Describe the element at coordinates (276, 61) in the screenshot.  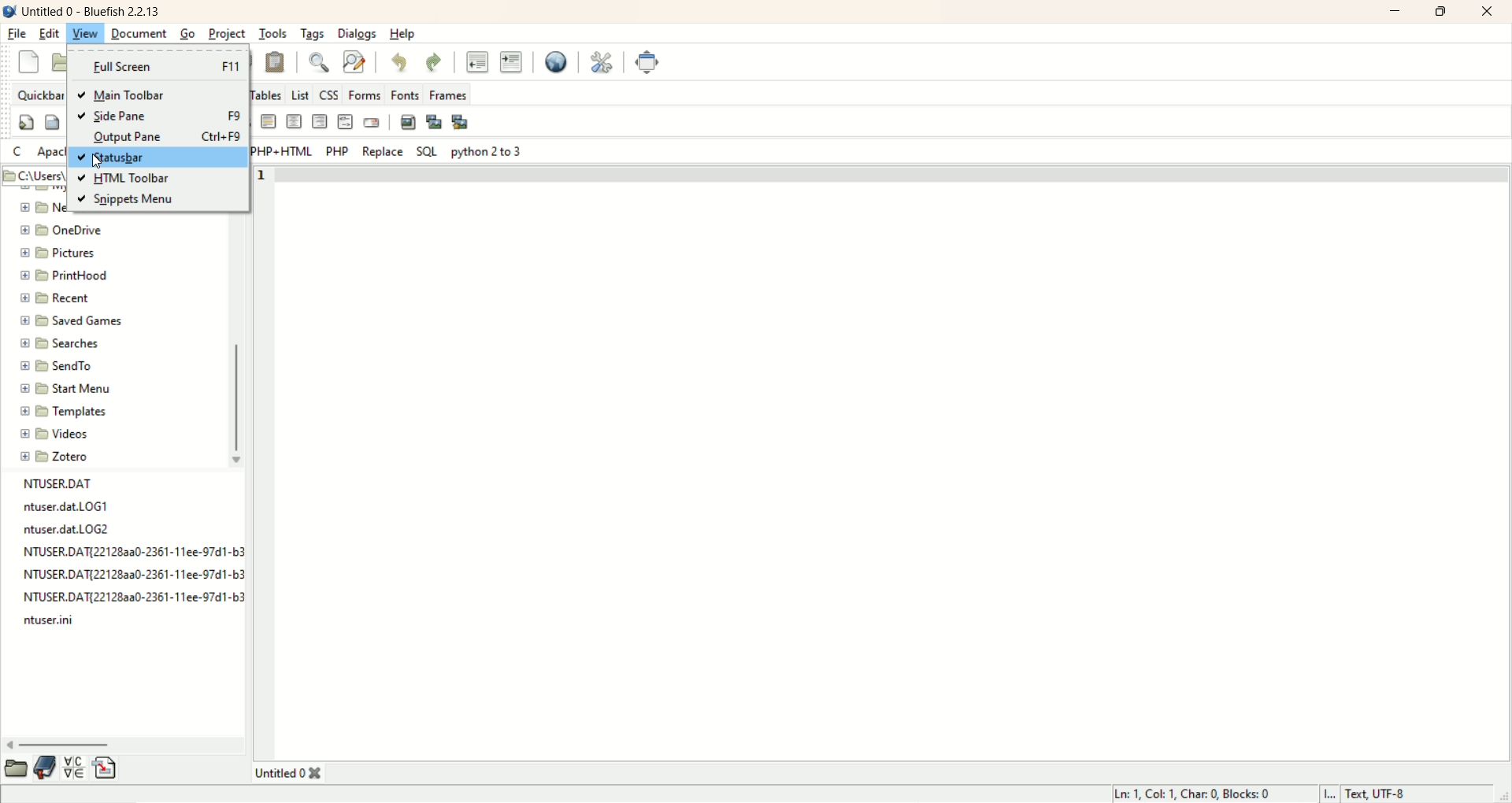
I see `paste` at that location.